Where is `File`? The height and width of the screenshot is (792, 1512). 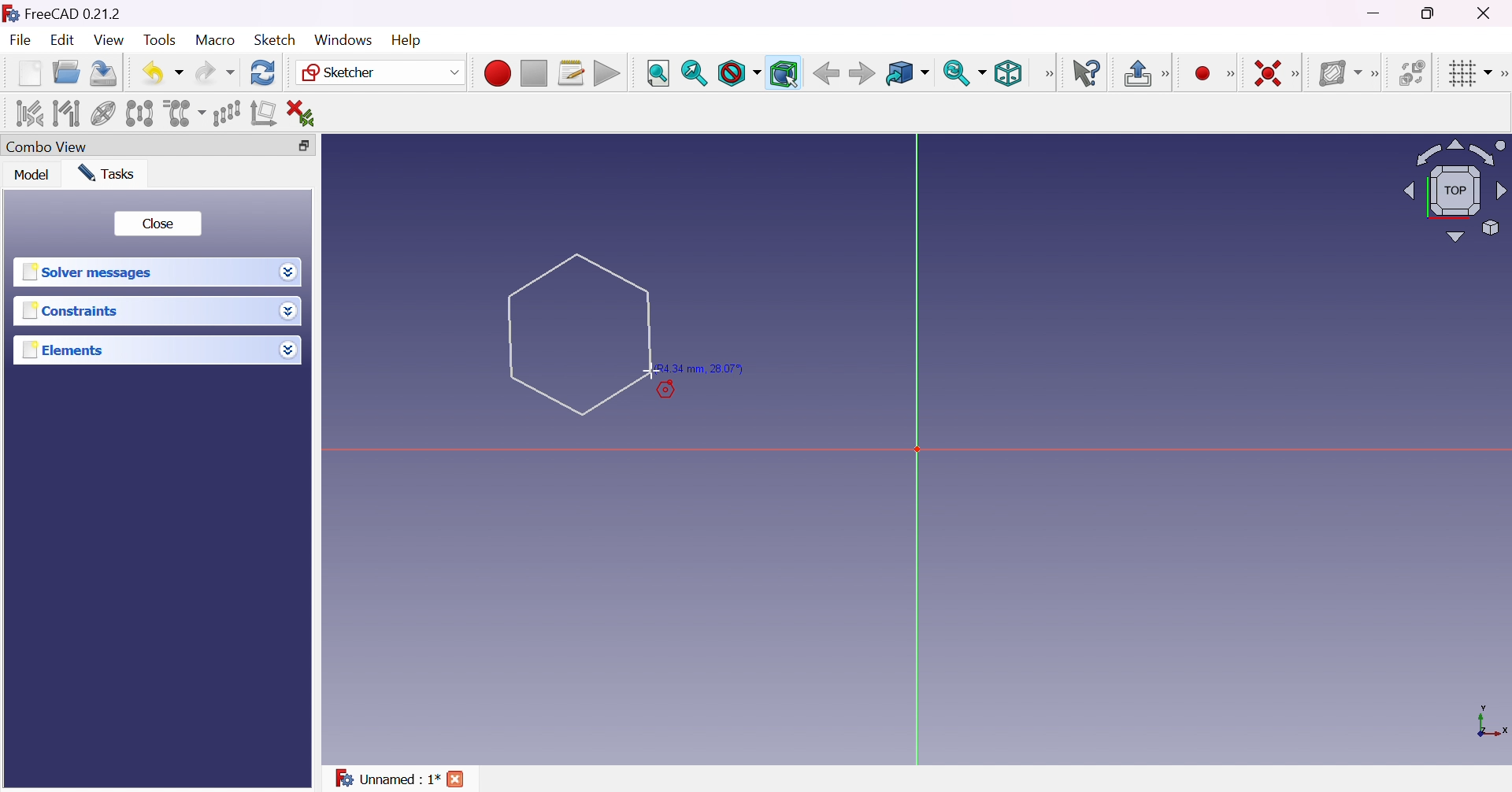
File is located at coordinates (20, 42).